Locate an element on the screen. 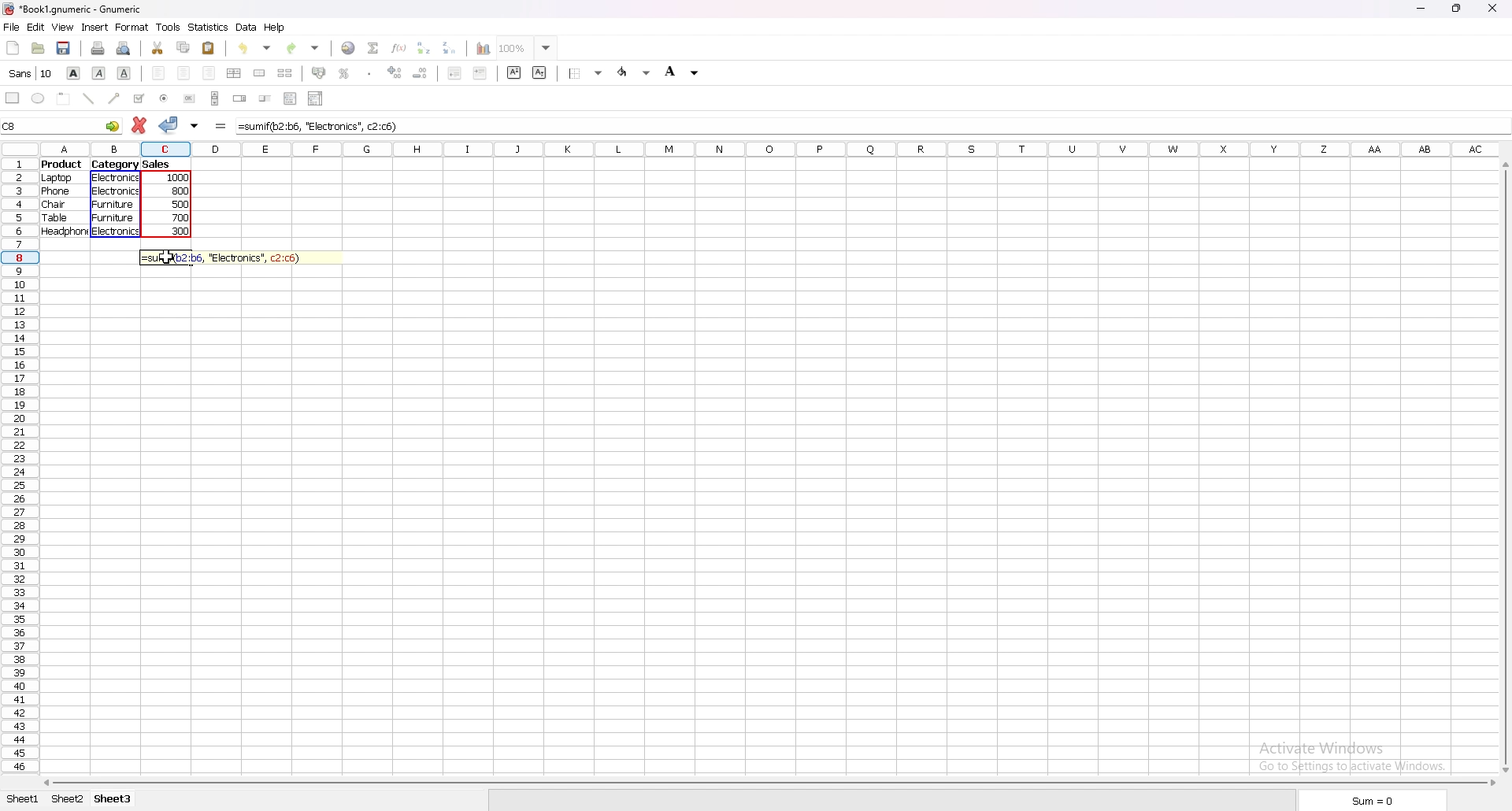  button is located at coordinates (189, 98).